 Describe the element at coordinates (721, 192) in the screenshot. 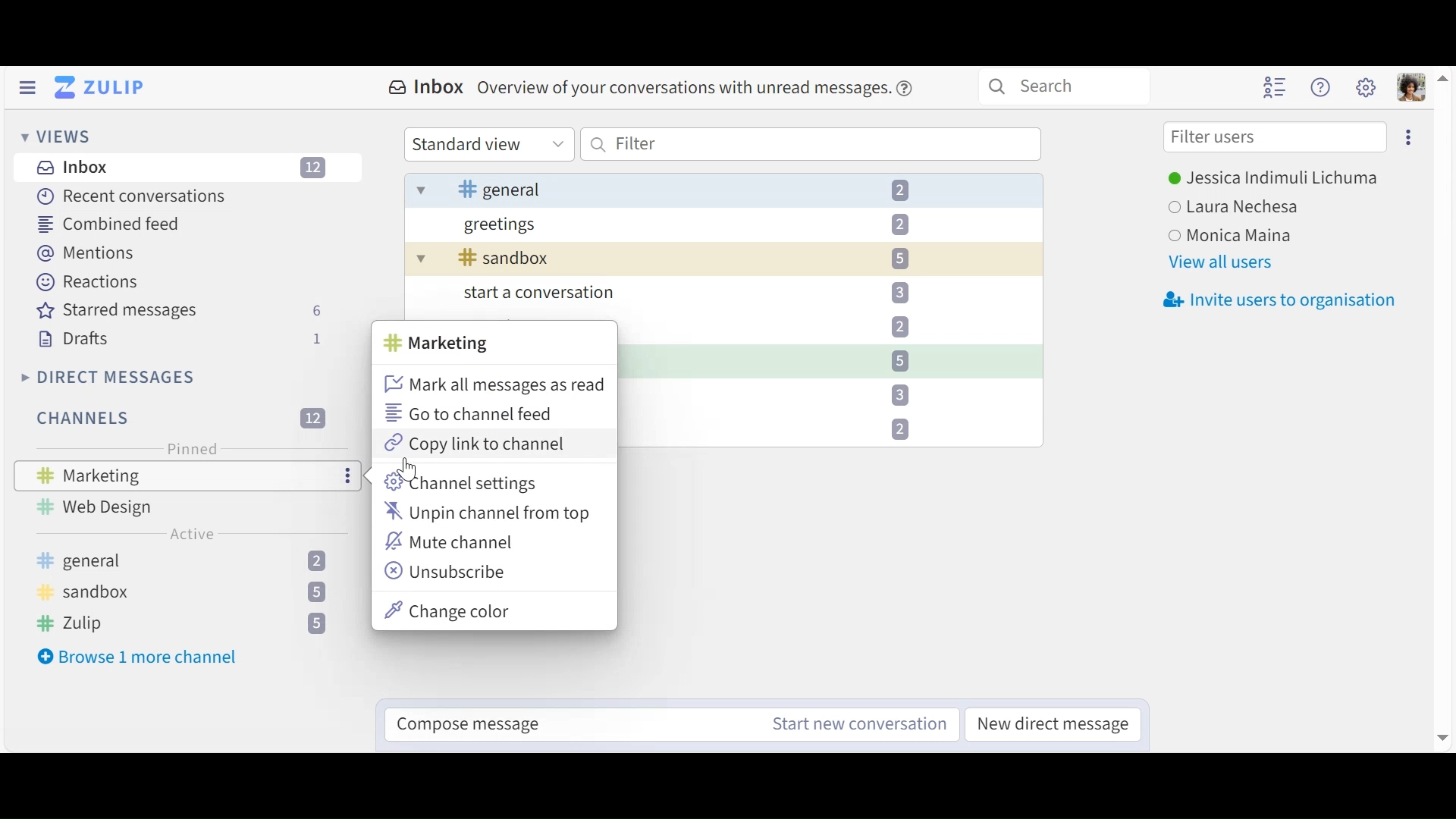

I see `general` at that location.